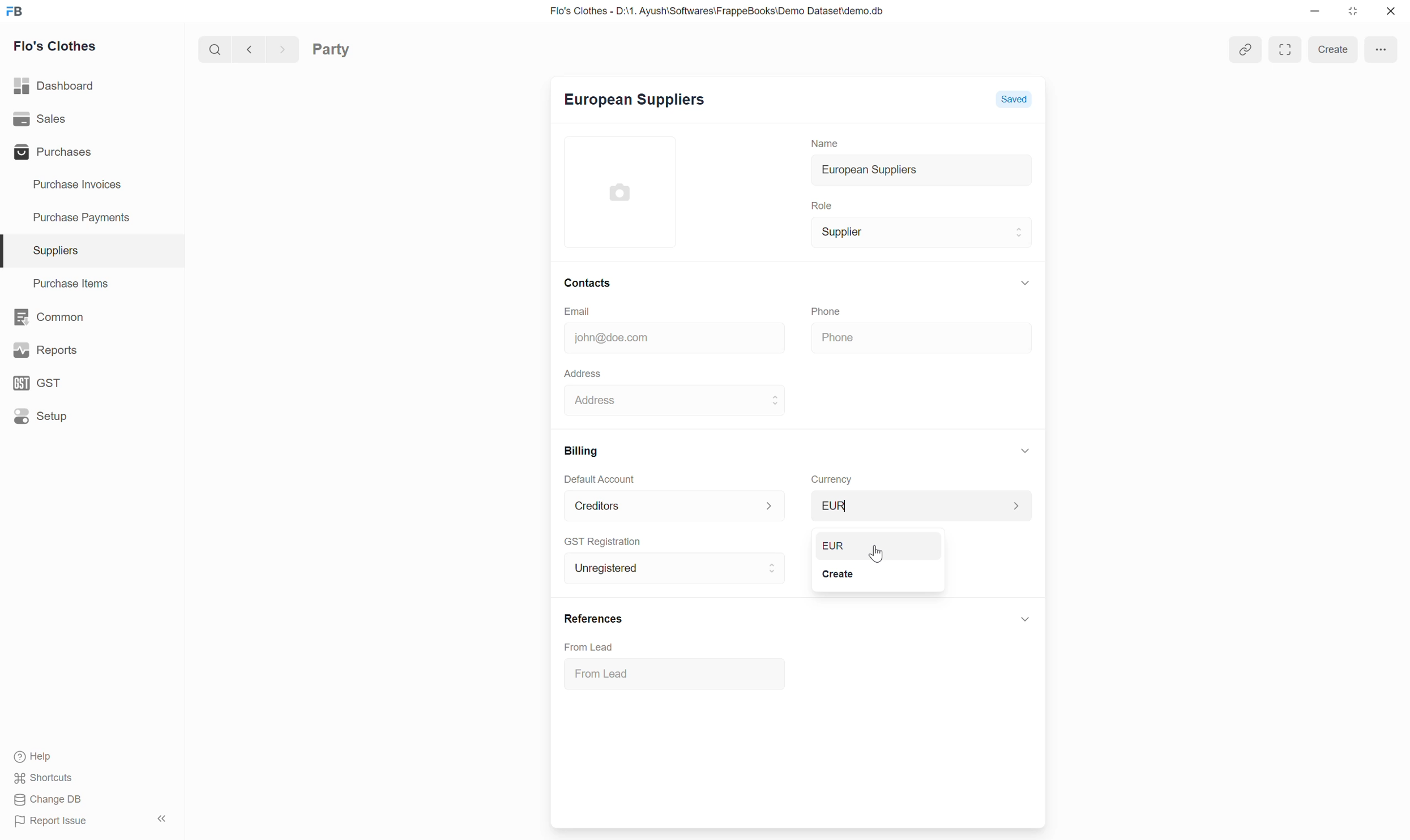 The width and height of the screenshot is (1410, 840). I want to click on Saved, so click(1019, 101).